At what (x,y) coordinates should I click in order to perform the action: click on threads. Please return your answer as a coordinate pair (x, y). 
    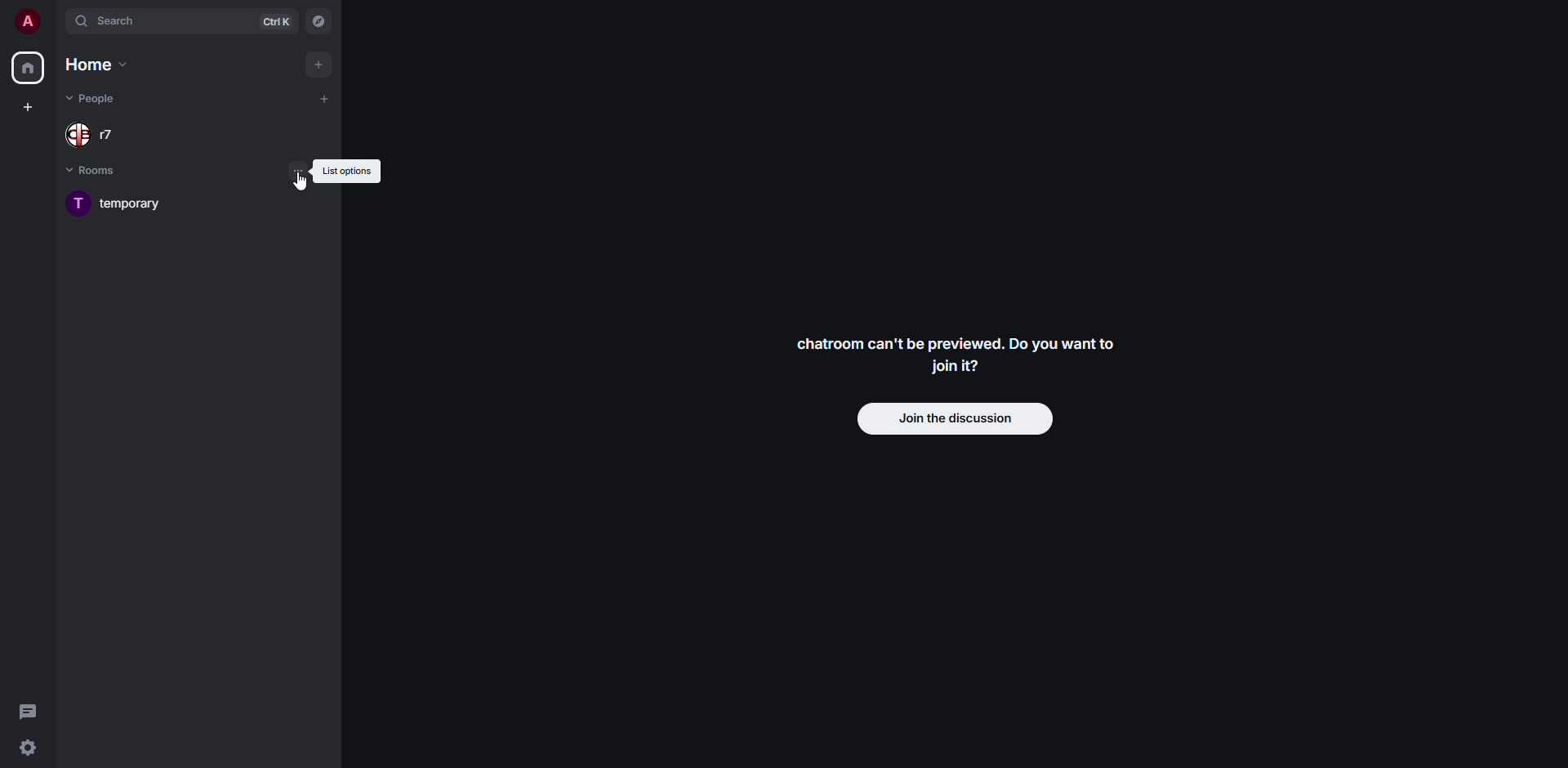
    Looking at the image, I should click on (29, 710).